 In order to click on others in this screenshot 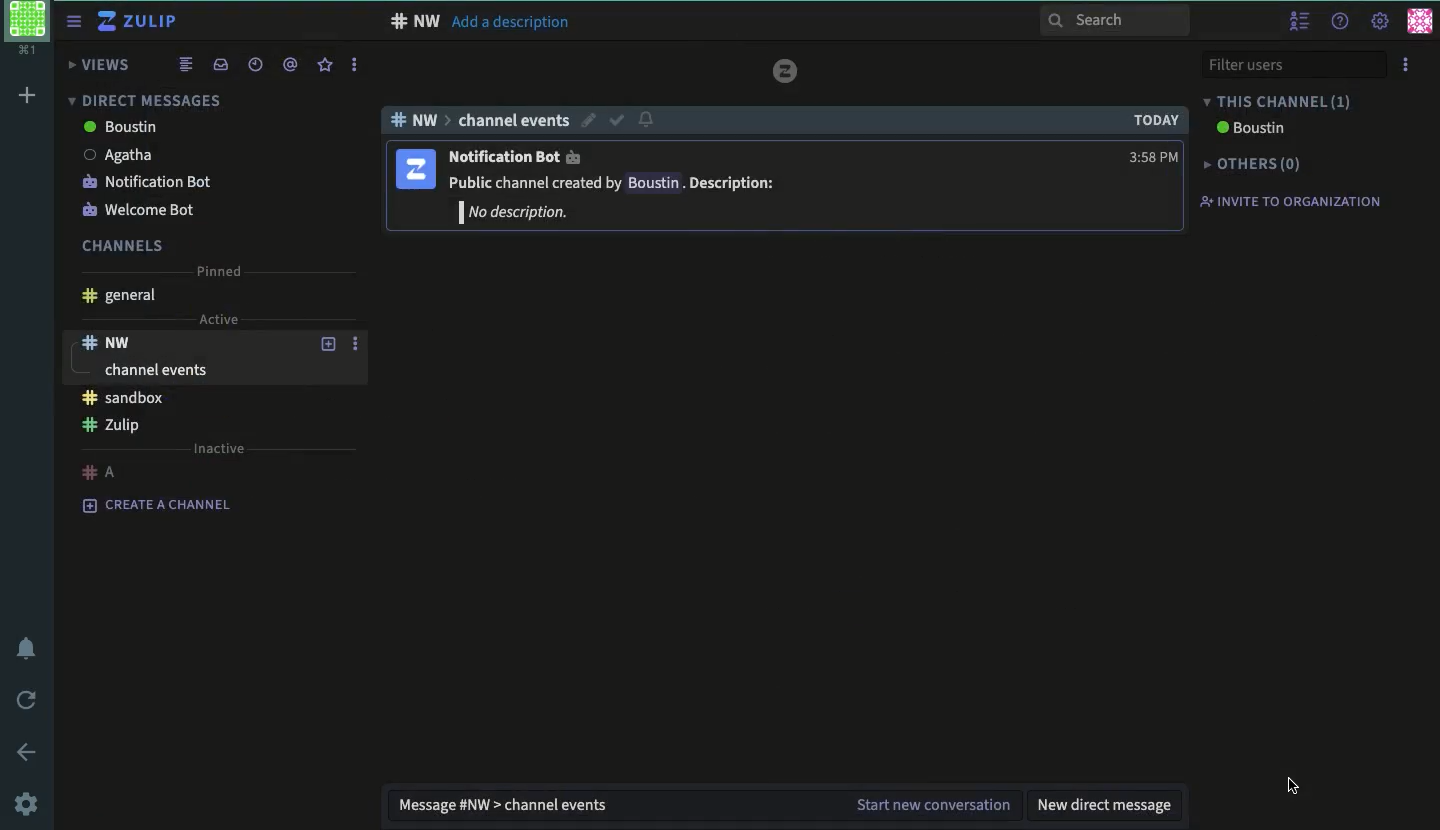, I will do `click(1248, 161)`.